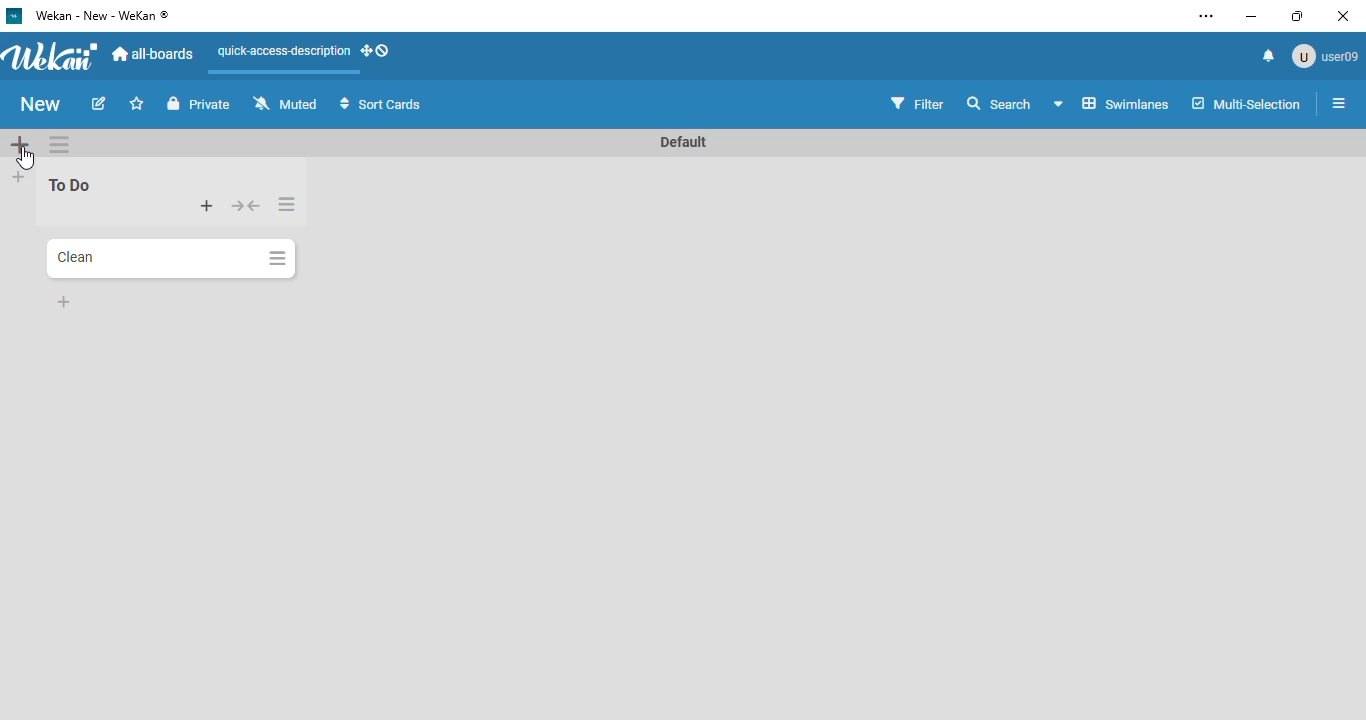 The image size is (1366, 720). Describe the element at coordinates (1334, 103) in the screenshot. I see `open sidebar or close sidebar` at that location.